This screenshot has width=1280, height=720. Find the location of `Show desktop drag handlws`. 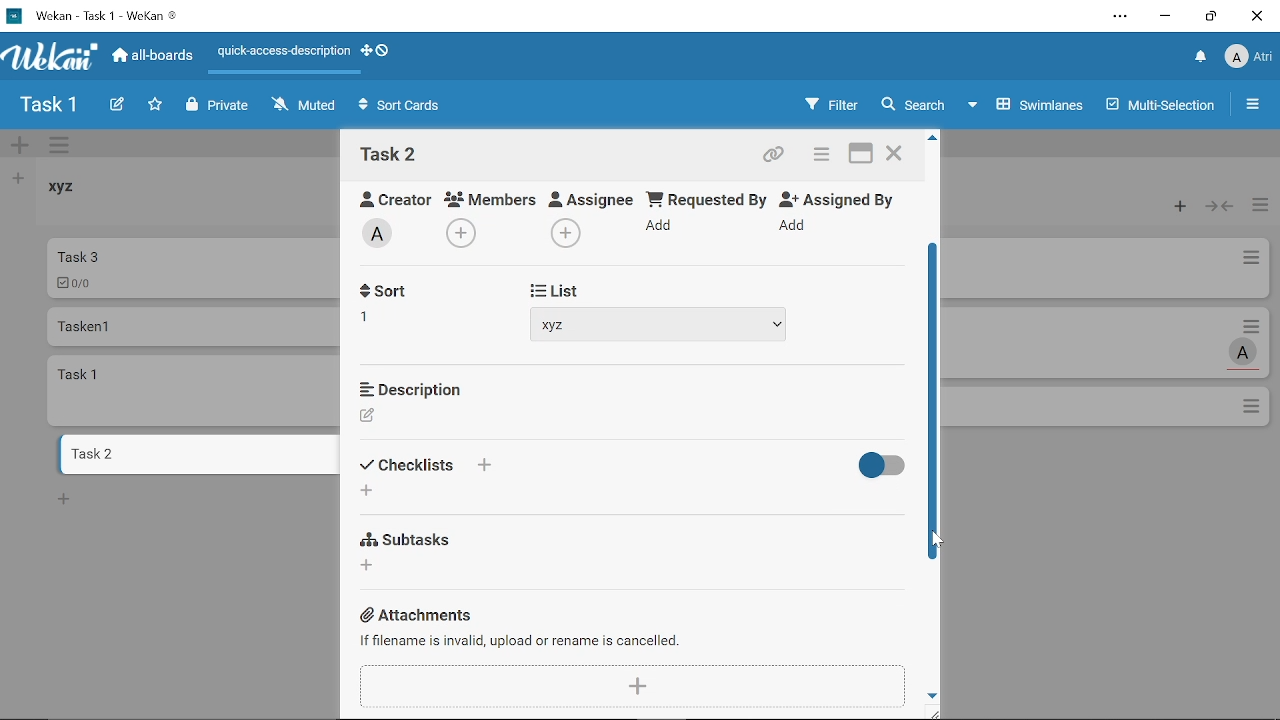

Show desktop drag handlws is located at coordinates (383, 50).